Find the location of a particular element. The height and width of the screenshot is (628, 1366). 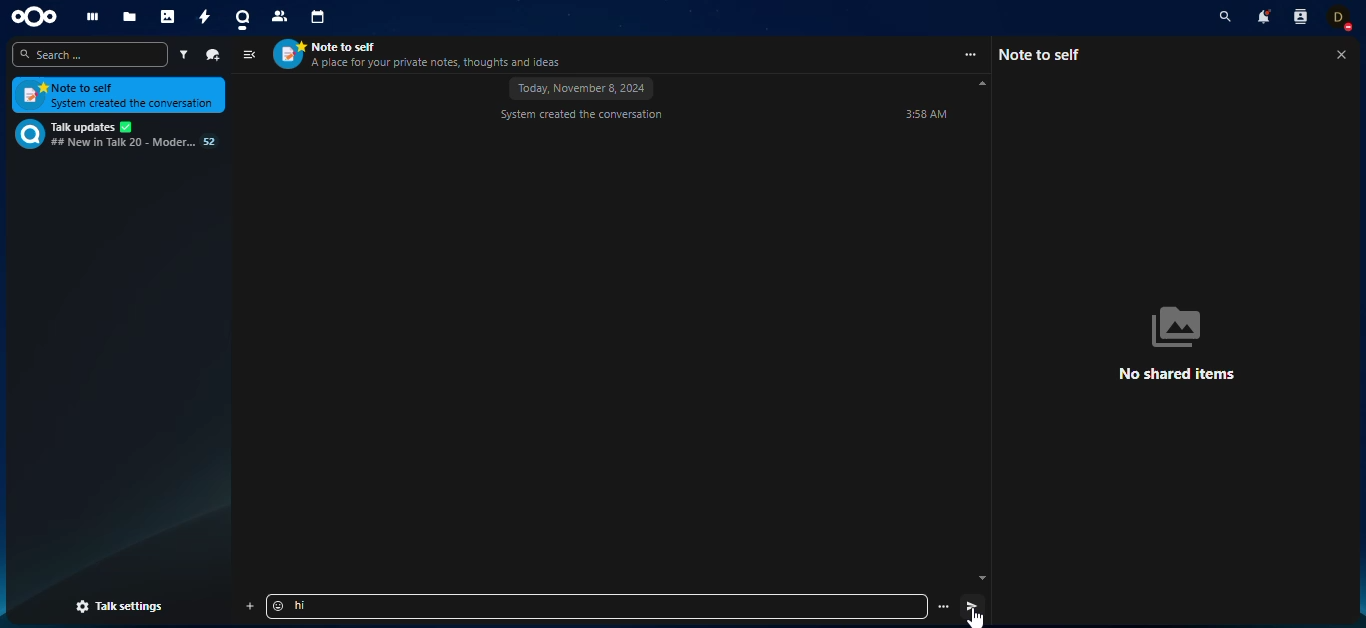

notifications is located at coordinates (1261, 19).